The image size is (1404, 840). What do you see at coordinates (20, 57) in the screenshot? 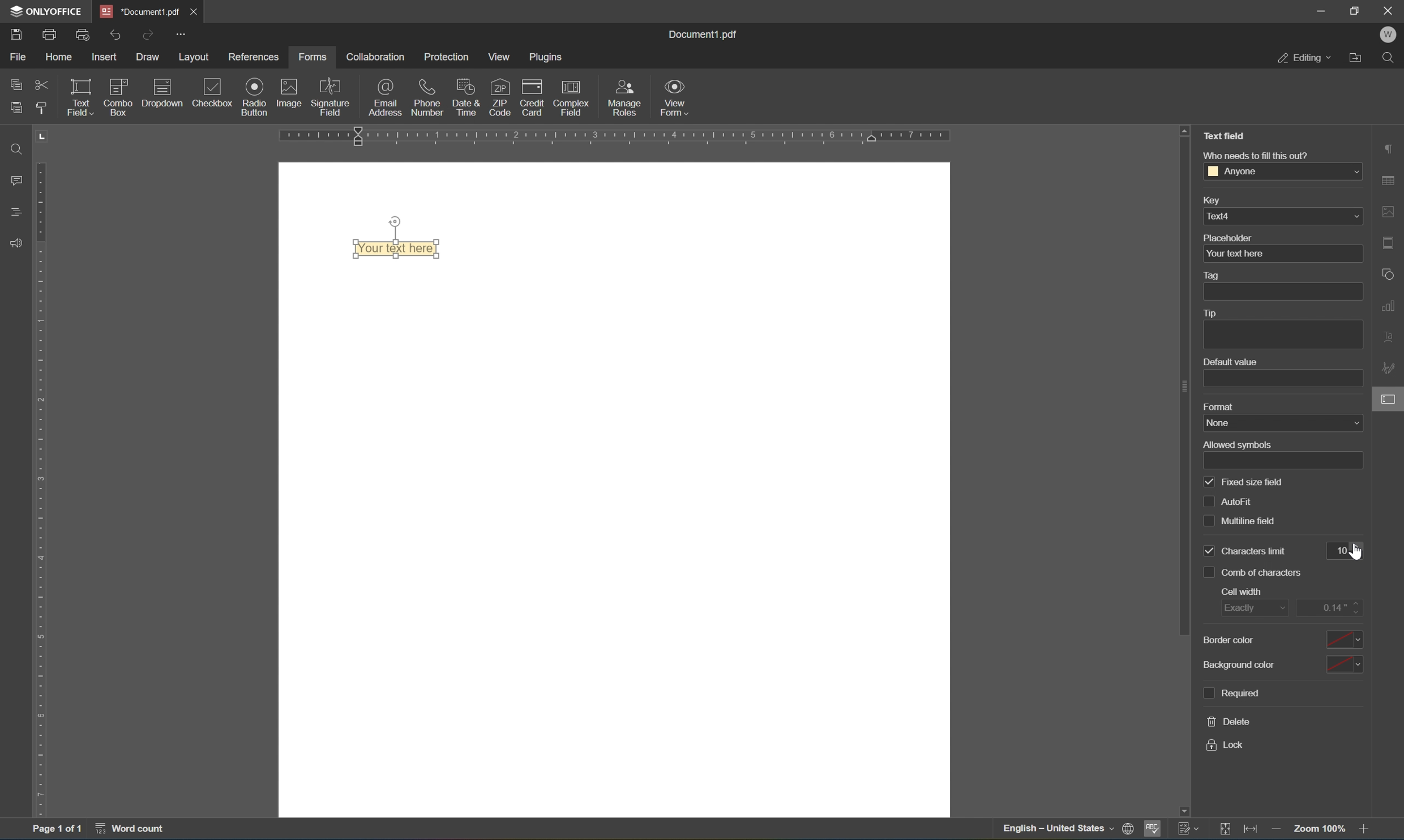
I see `file` at bounding box center [20, 57].